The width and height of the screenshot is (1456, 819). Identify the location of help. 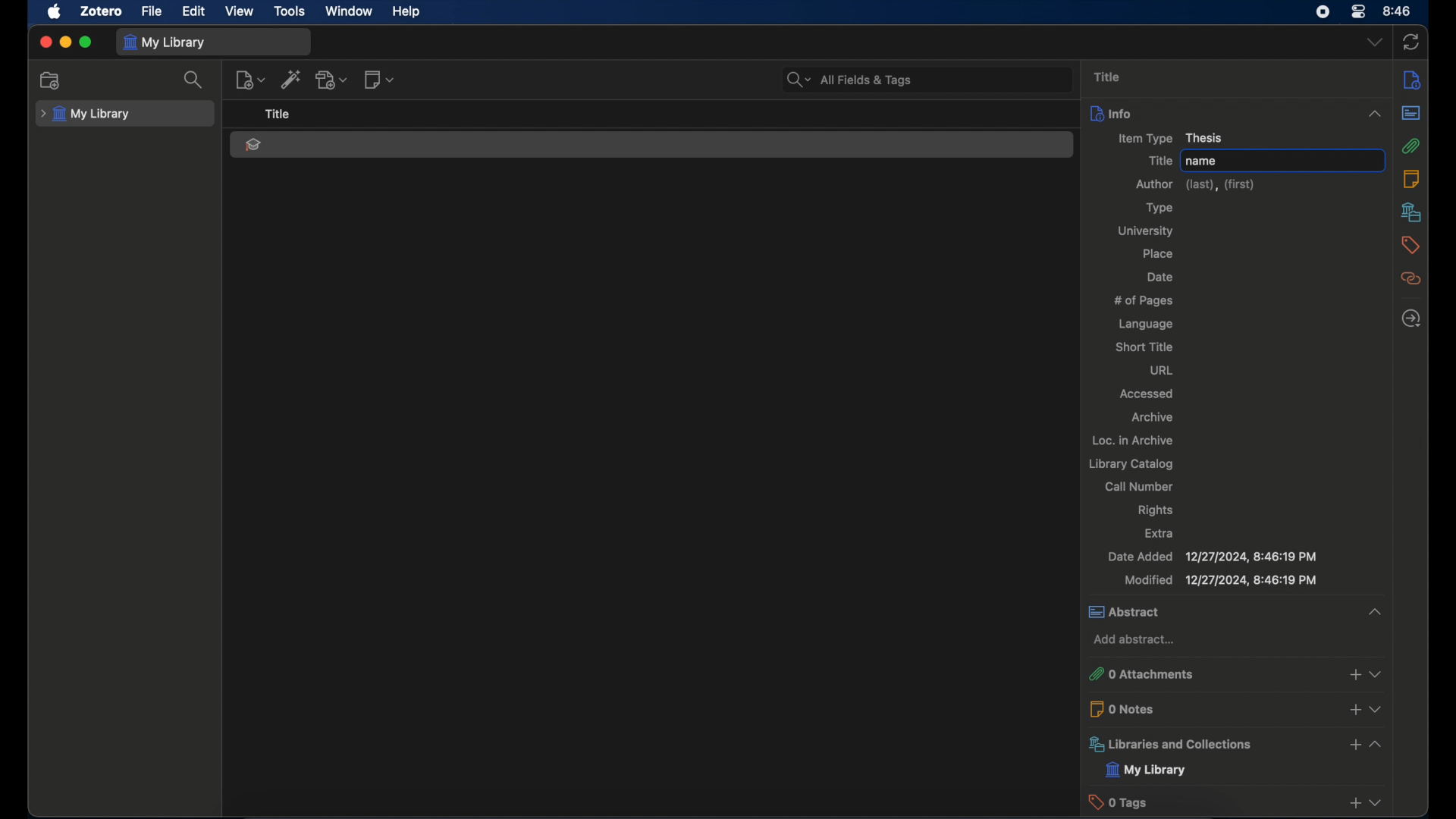
(406, 12).